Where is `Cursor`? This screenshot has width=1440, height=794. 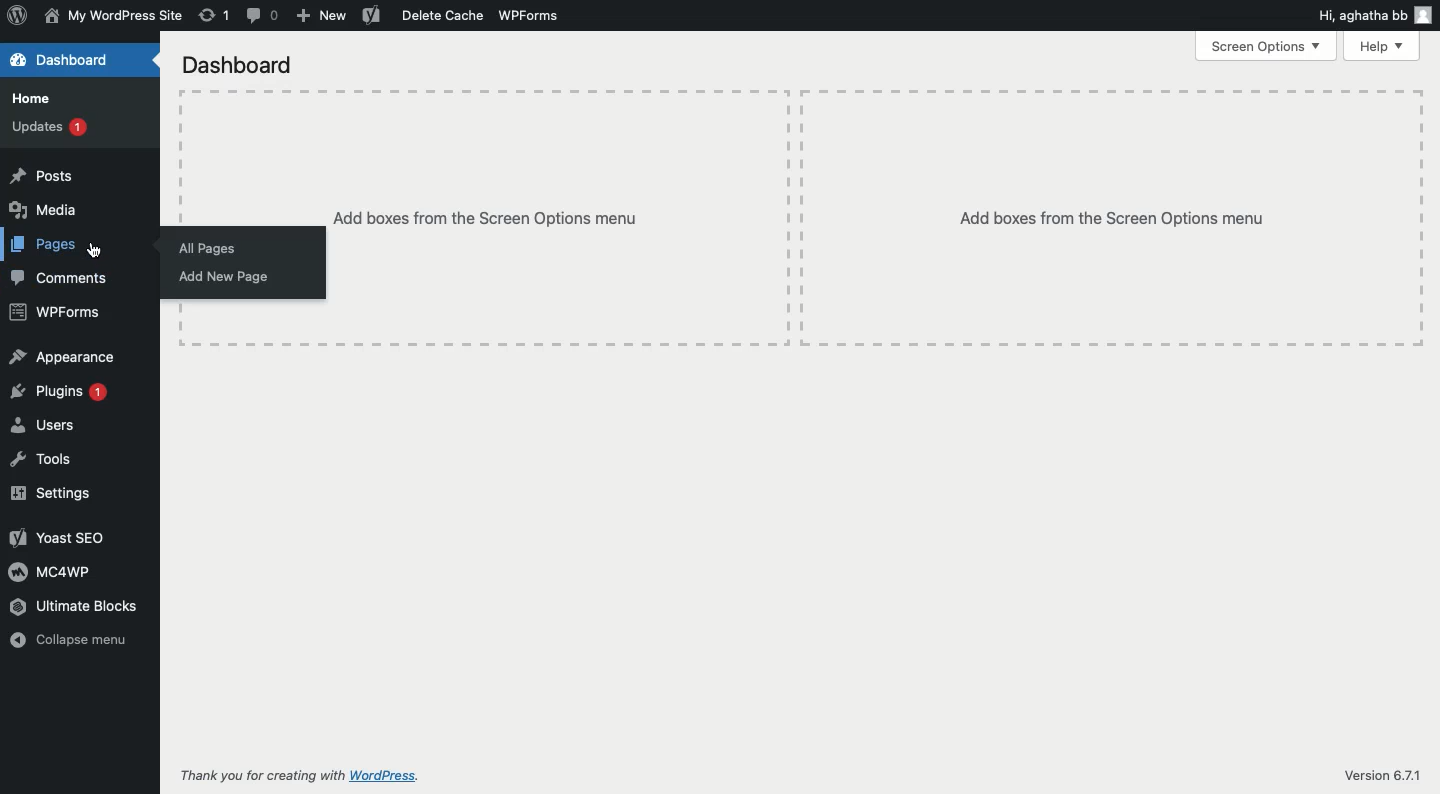
Cursor is located at coordinates (96, 249).